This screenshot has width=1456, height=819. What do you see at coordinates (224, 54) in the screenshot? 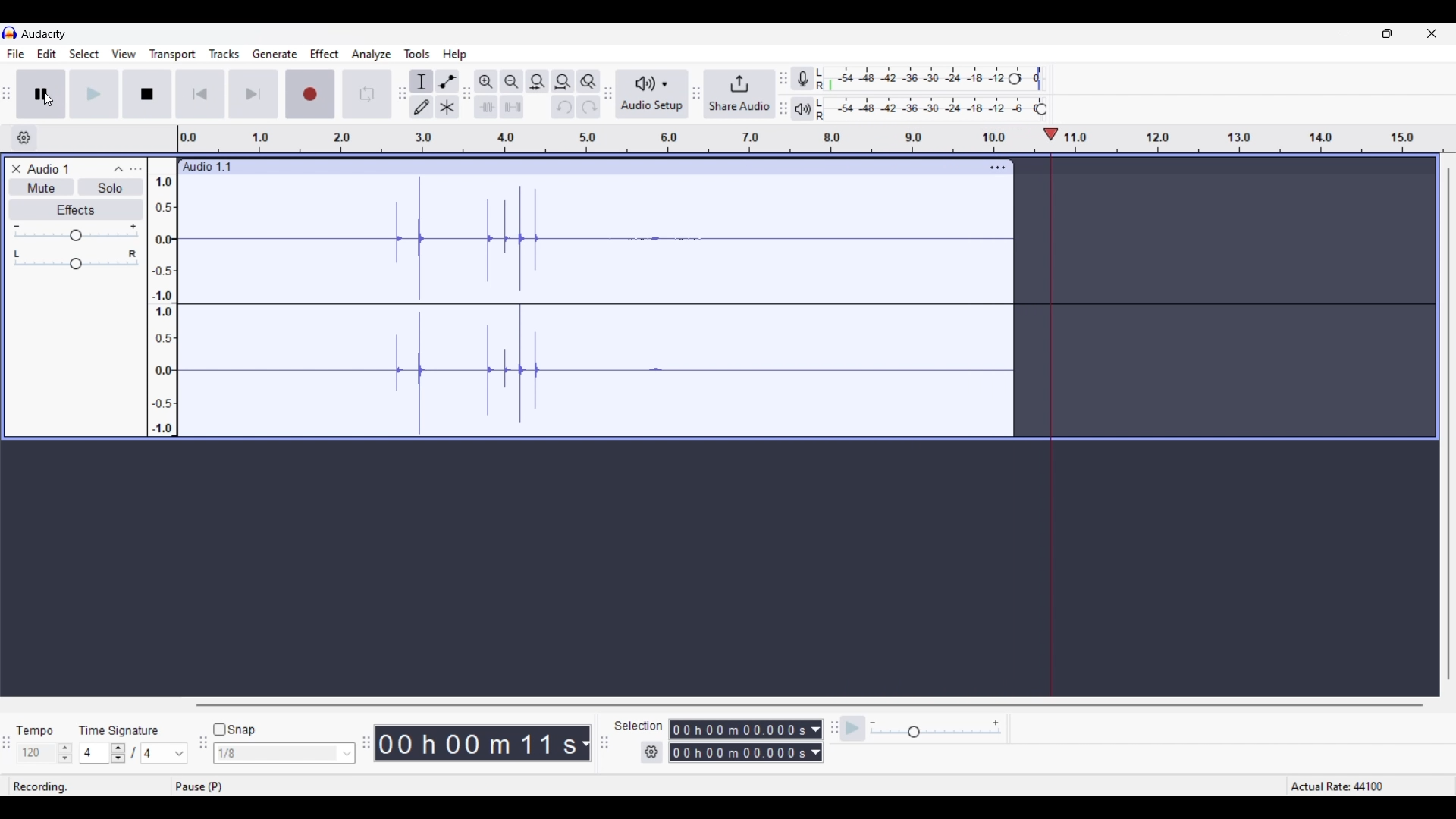
I see `Tracks menu` at bounding box center [224, 54].